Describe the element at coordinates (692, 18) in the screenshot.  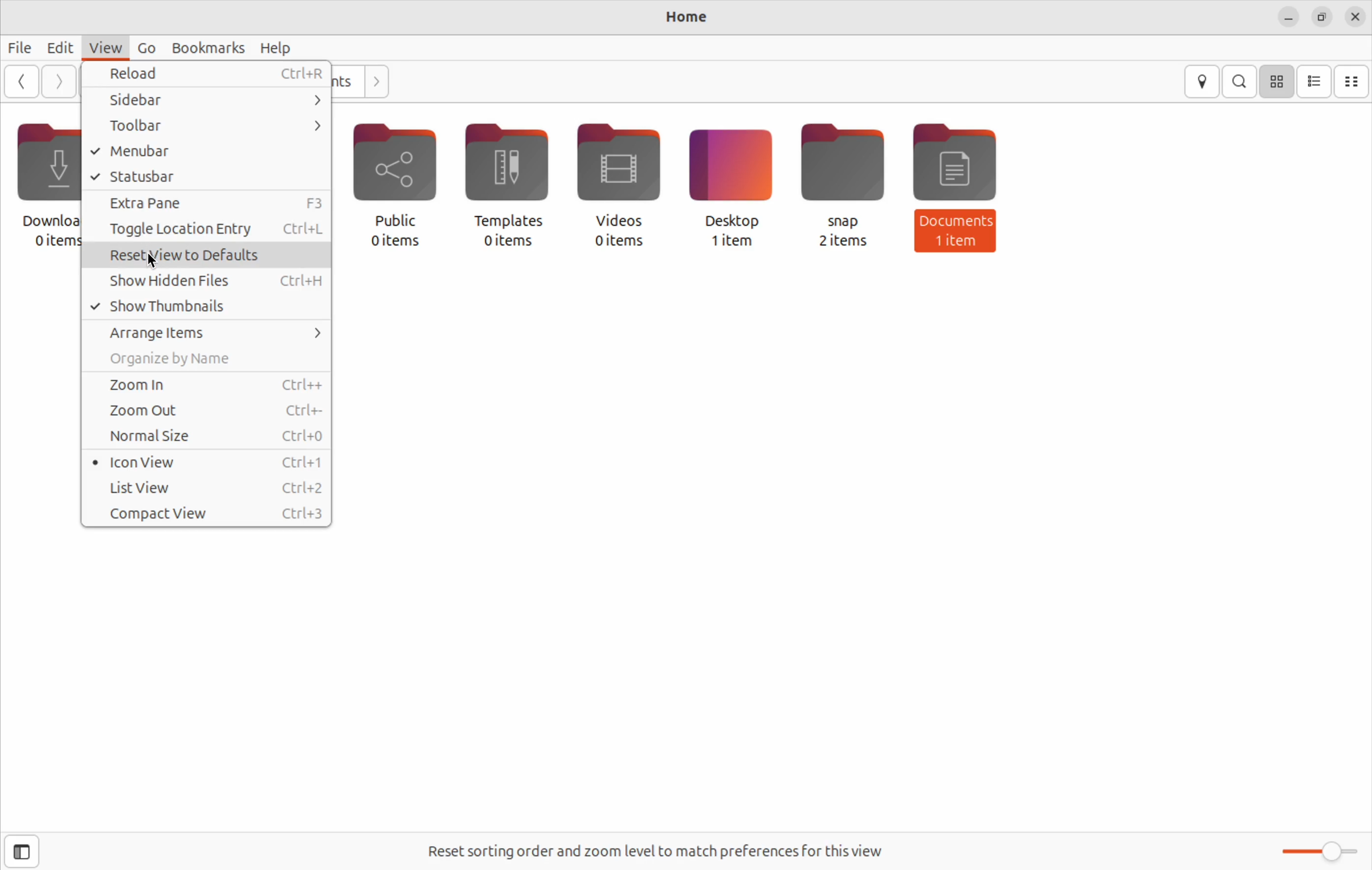
I see `Home` at that location.